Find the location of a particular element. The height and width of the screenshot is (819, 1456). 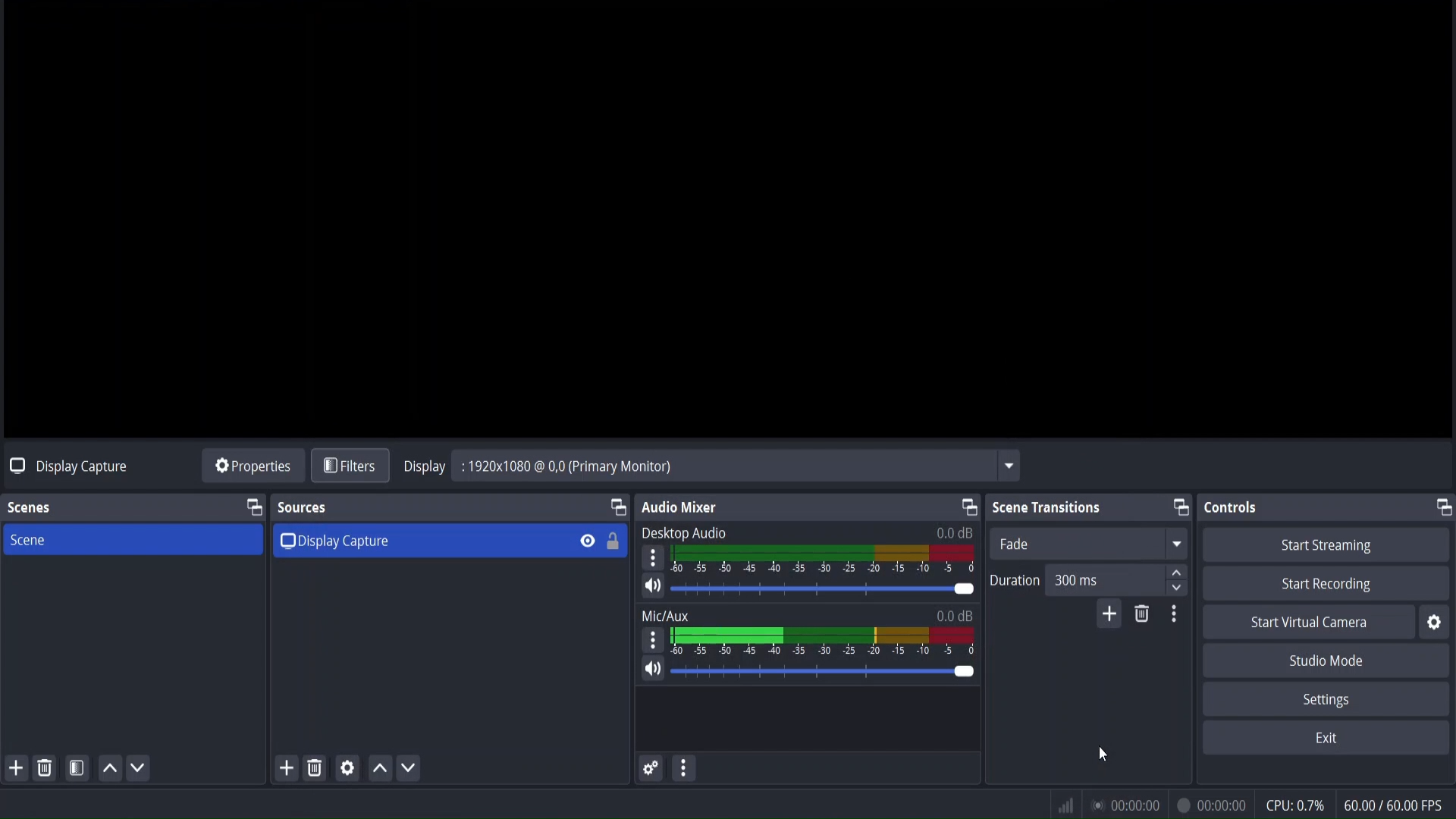

status is located at coordinates (1122, 802).